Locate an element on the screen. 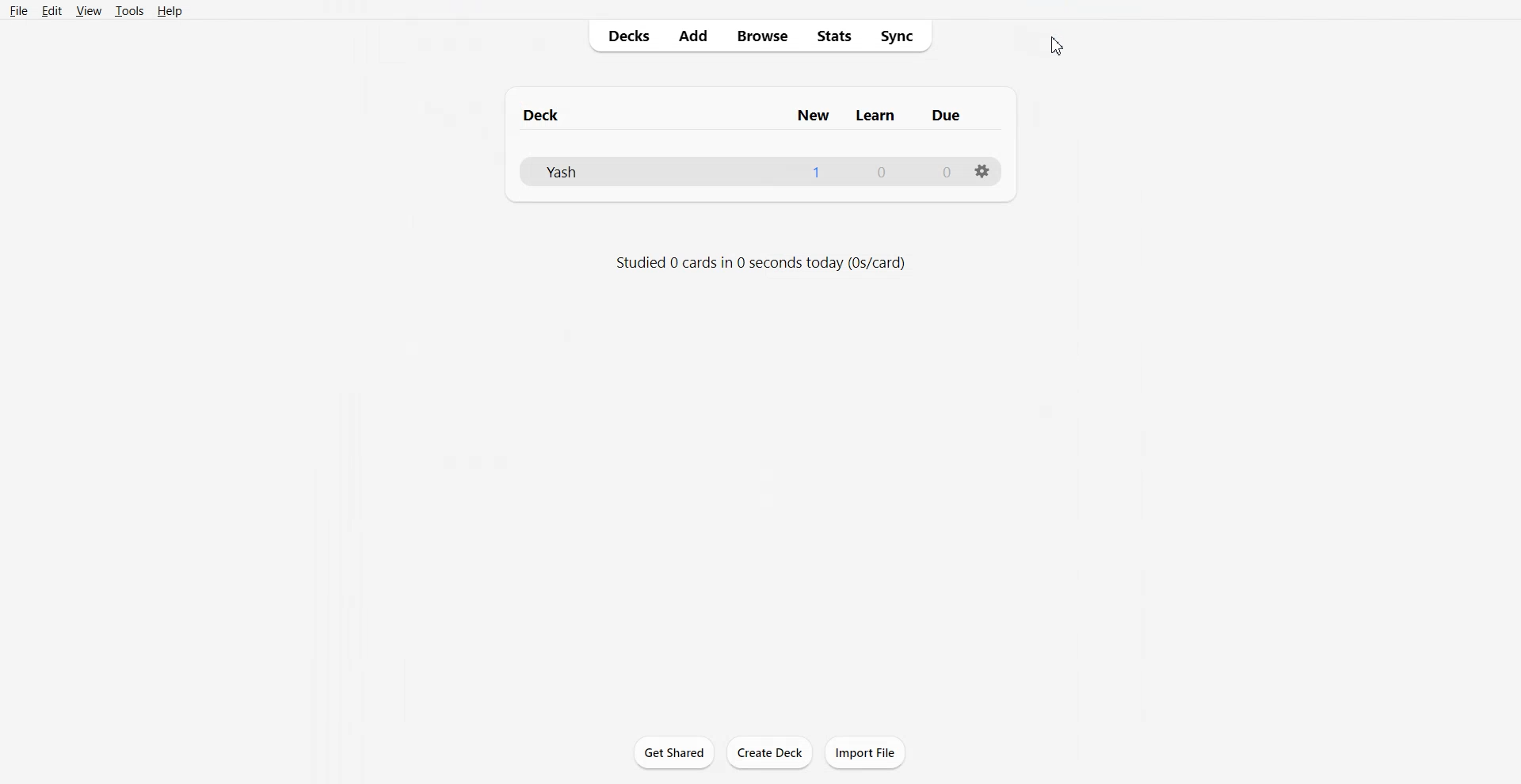 The height and width of the screenshot is (784, 1521). Yash is located at coordinates (665, 173).